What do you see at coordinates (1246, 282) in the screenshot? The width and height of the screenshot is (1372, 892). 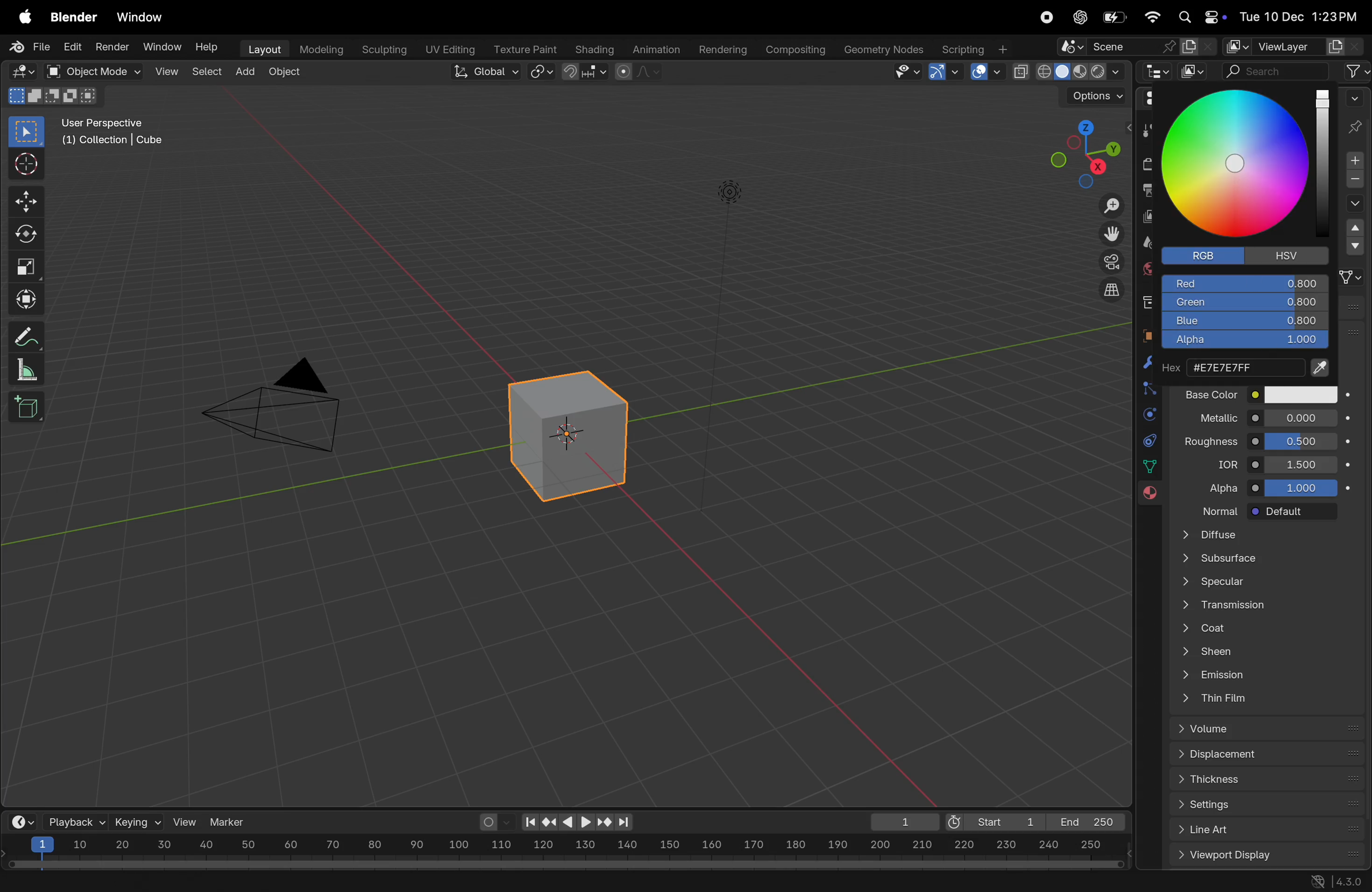 I see `red` at bounding box center [1246, 282].